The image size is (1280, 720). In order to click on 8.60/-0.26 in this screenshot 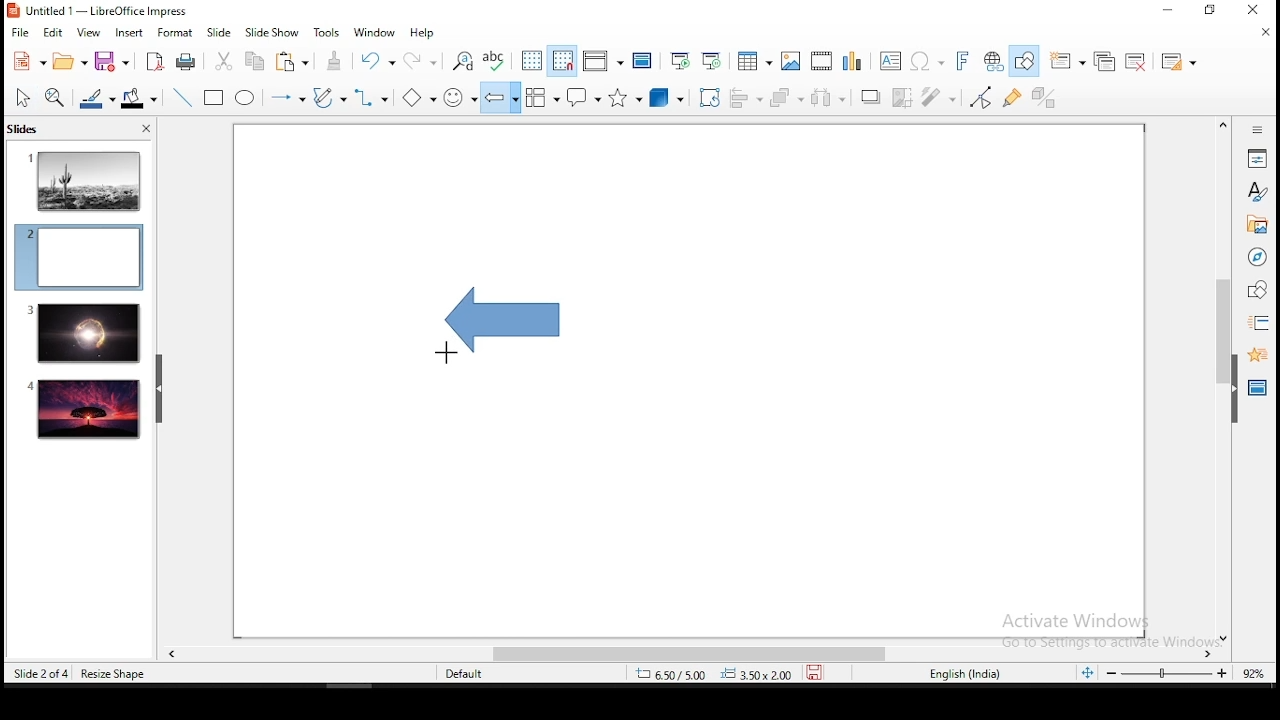, I will do `click(673, 676)`.